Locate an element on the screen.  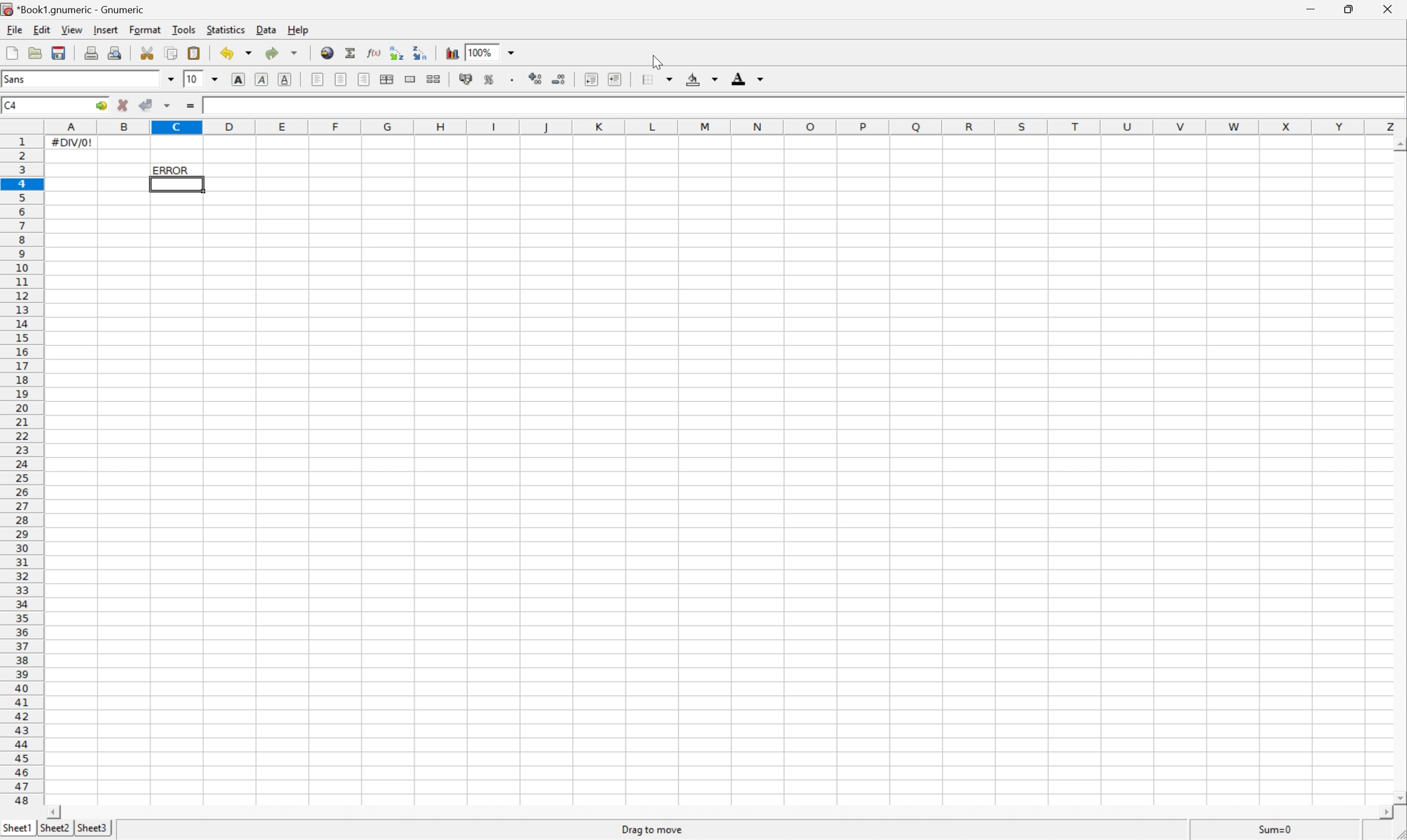
Drop down is located at coordinates (216, 79).